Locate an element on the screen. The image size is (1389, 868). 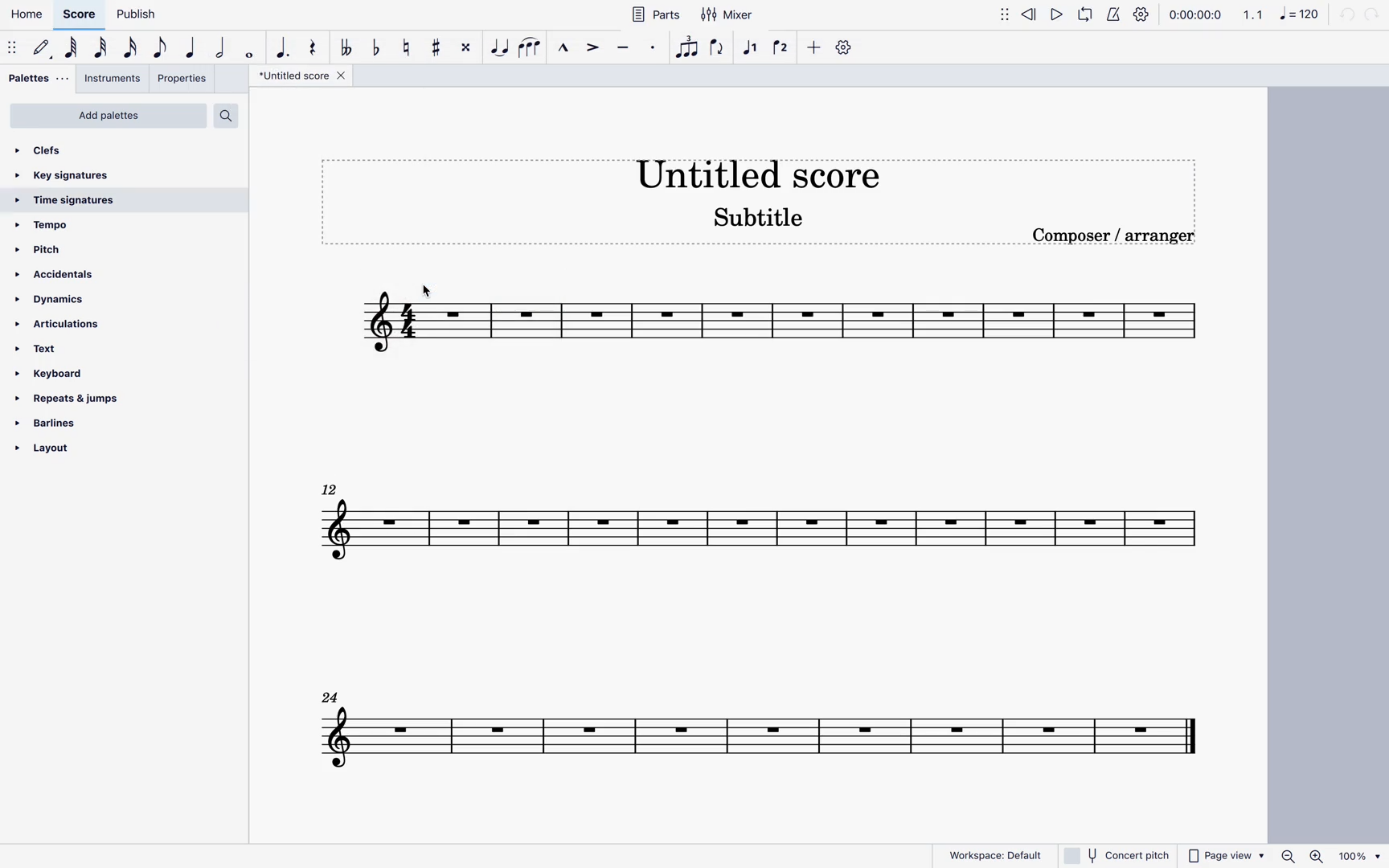
redo is located at coordinates (1375, 15).